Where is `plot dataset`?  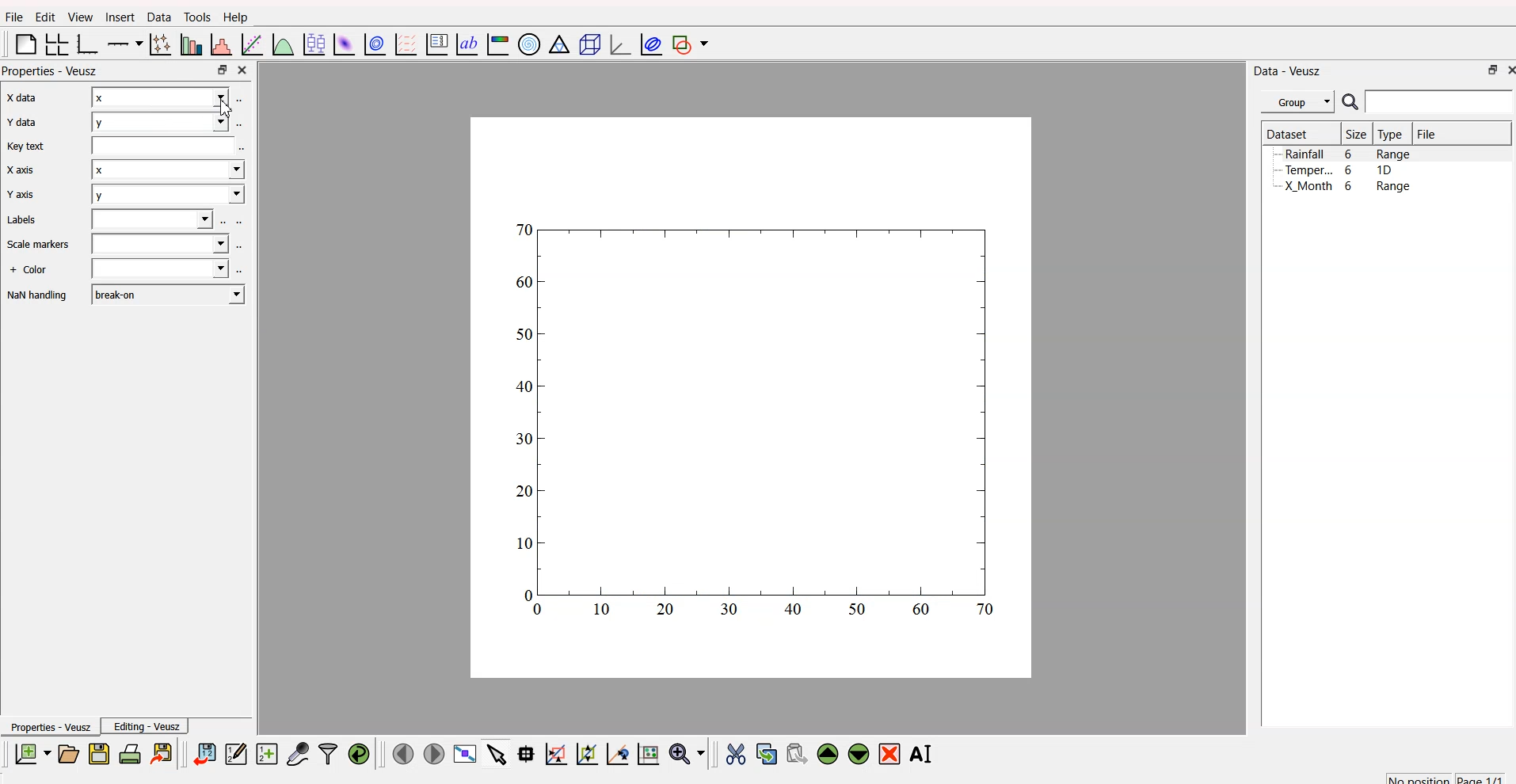
plot dataset is located at coordinates (342, 44).